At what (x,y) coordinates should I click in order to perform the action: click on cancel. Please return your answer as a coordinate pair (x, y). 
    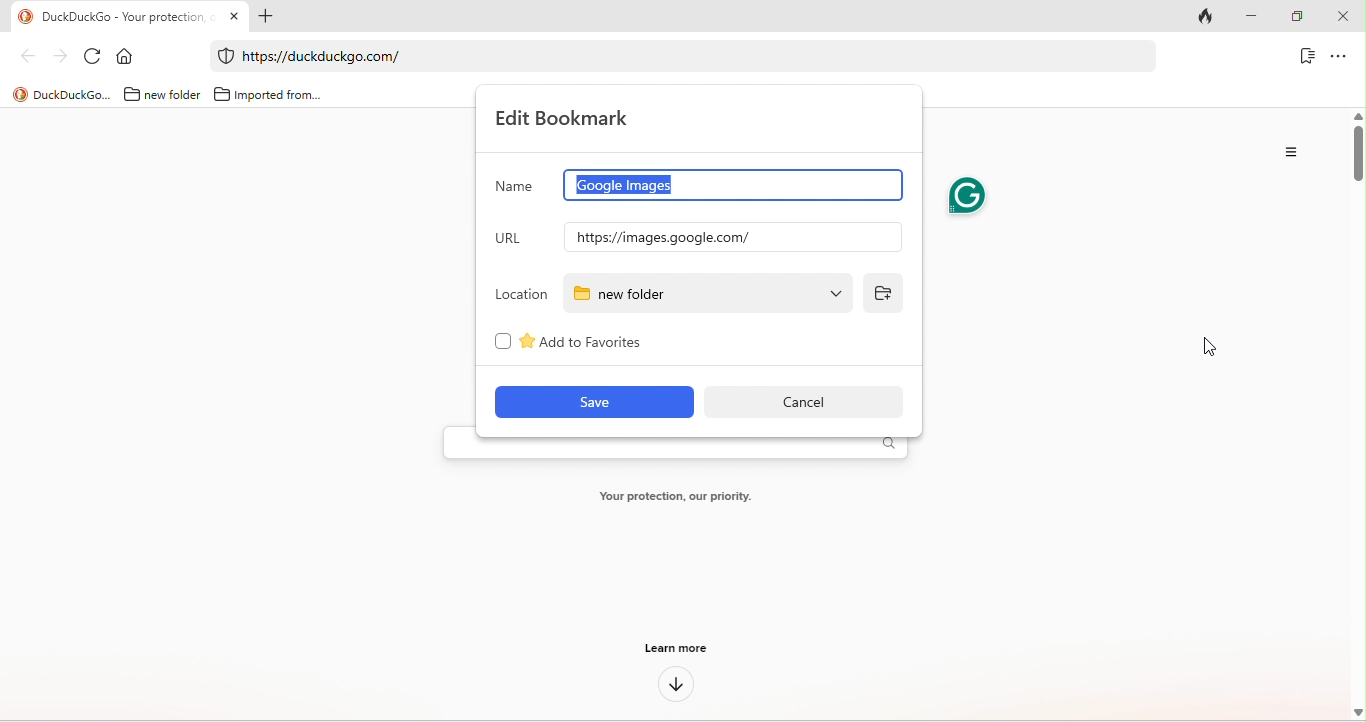
    Looking at the image, I should click on (801, 402).